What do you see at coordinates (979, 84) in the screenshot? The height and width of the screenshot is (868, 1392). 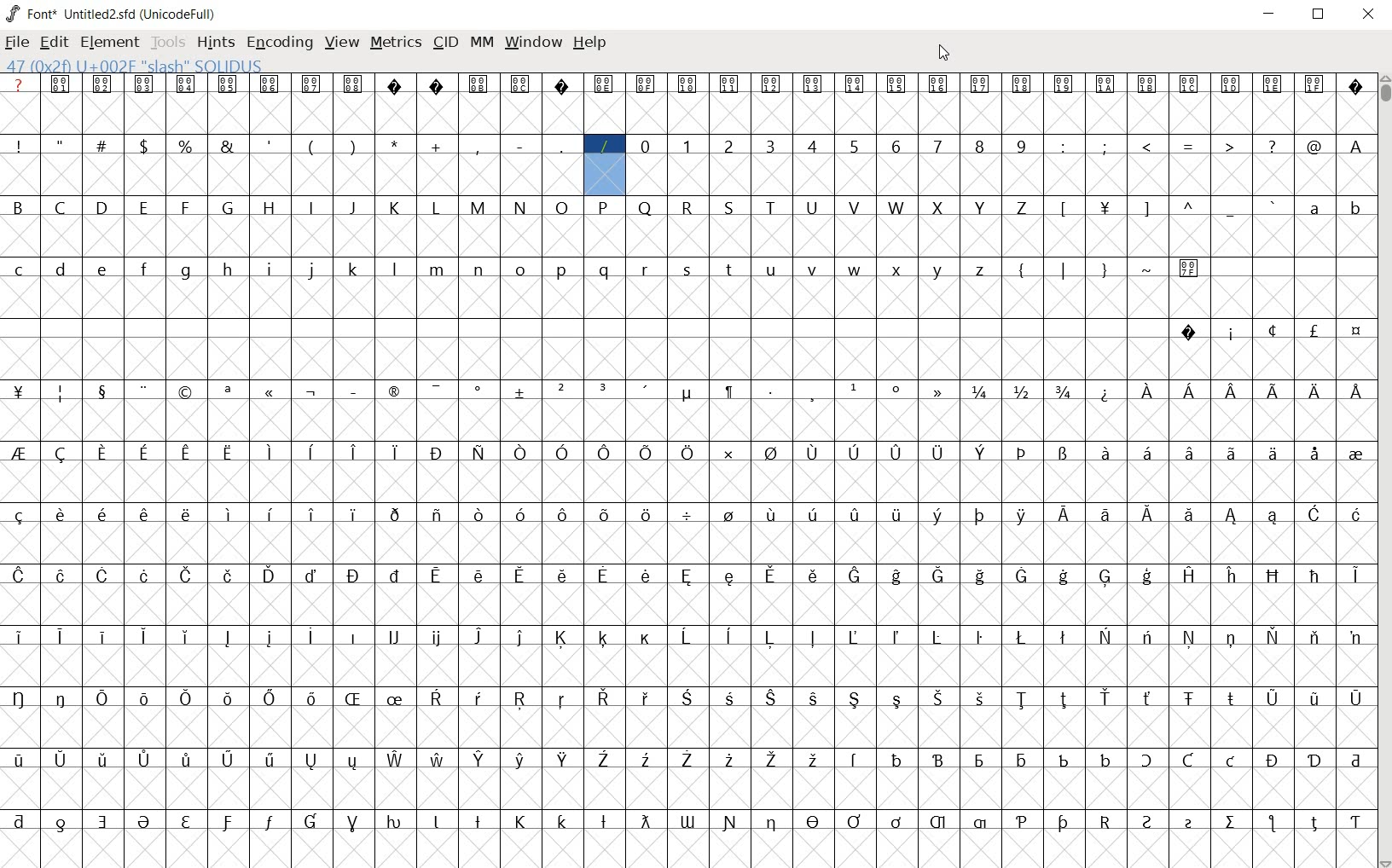 I see `glyph` at bounding box center [979, 84].